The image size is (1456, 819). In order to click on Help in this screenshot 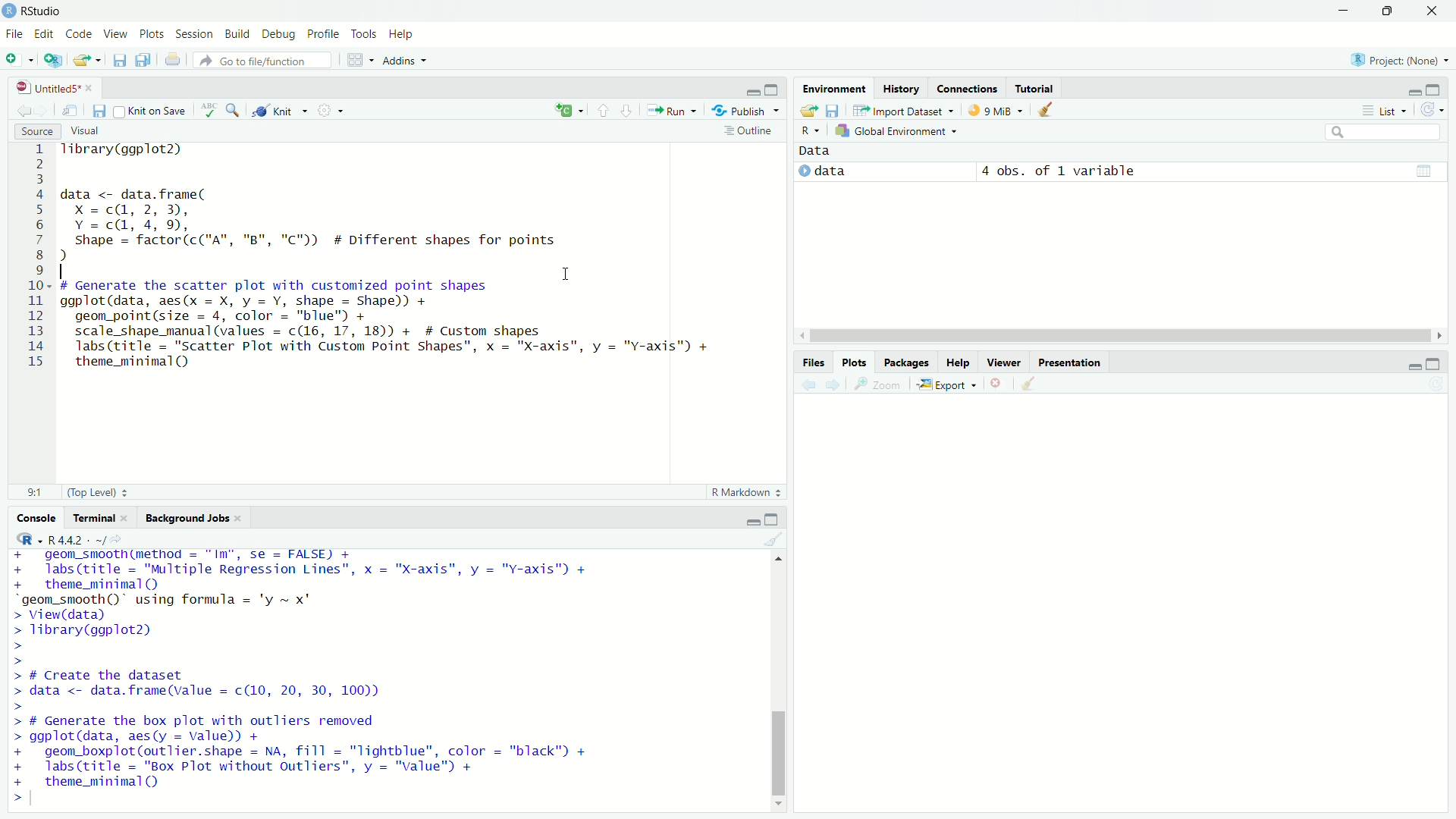, I will do `click(958, 362)`.